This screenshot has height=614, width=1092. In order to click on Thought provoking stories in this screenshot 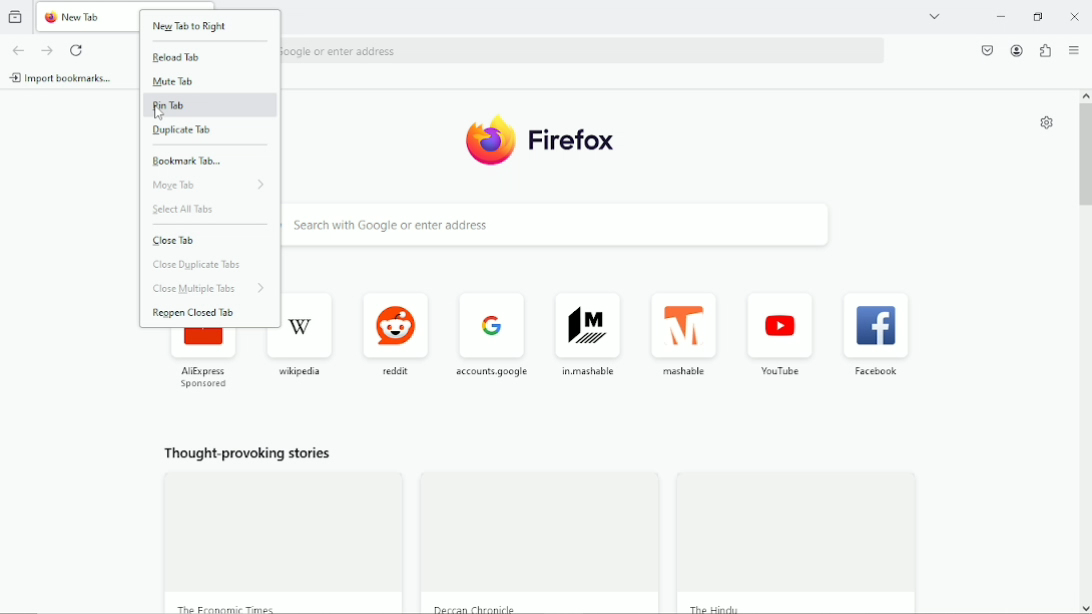, I will do `click(247, 456)`.